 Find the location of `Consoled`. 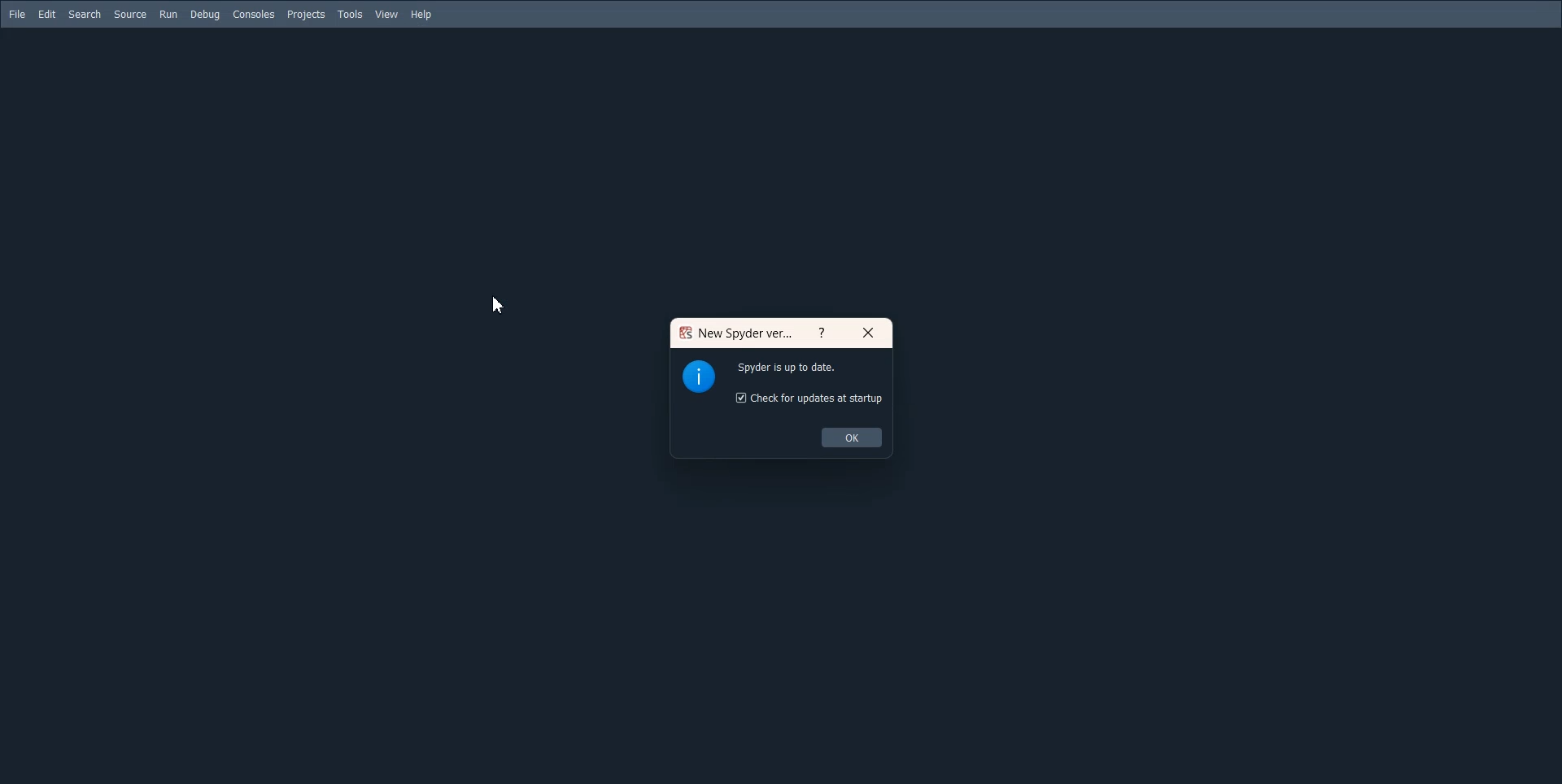

Consoled is located at coordinates (255, 14).